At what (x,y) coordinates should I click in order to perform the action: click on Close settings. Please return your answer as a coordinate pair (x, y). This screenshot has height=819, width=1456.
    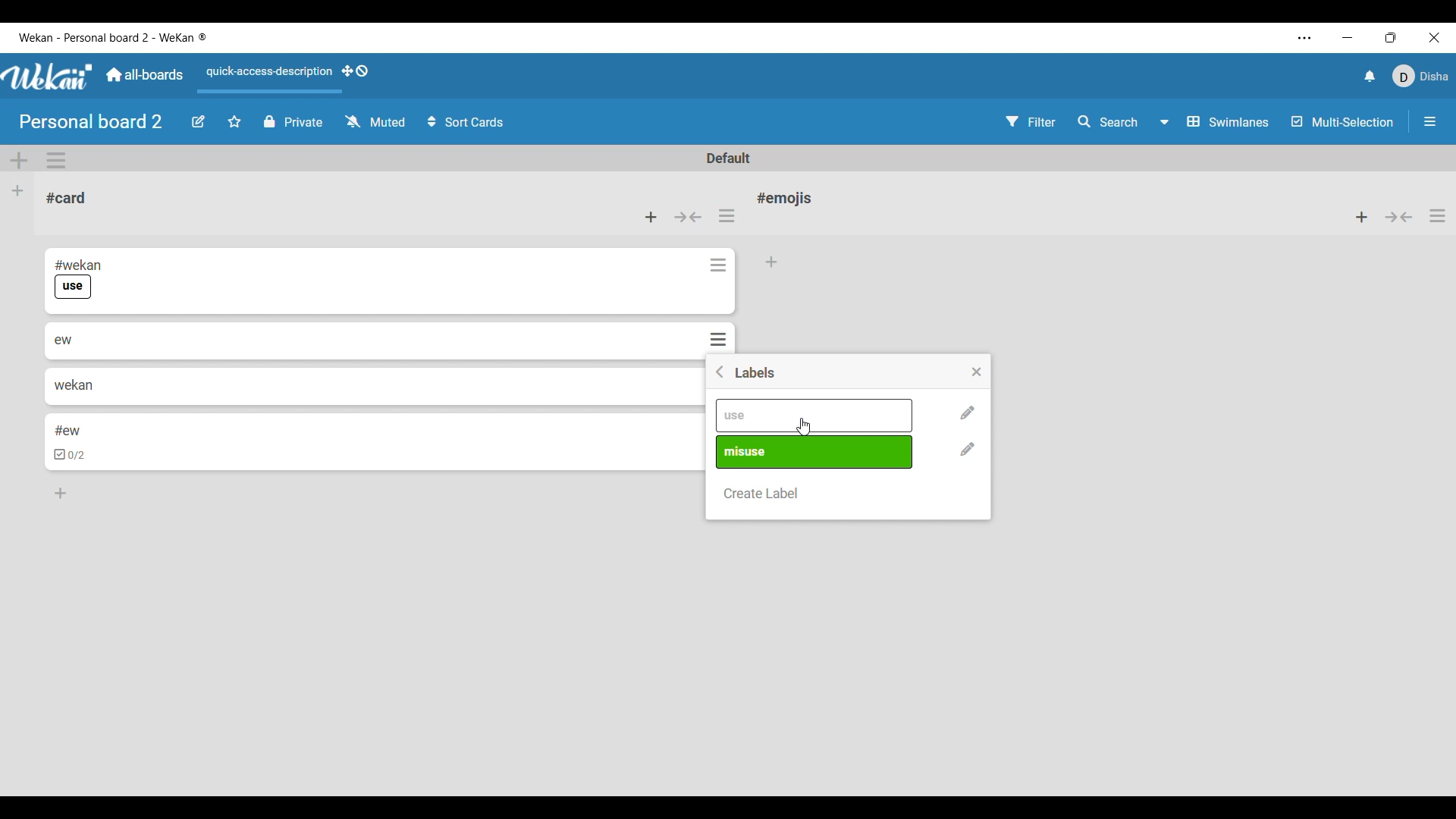
    Looking at the image, I should click on (977, 371).